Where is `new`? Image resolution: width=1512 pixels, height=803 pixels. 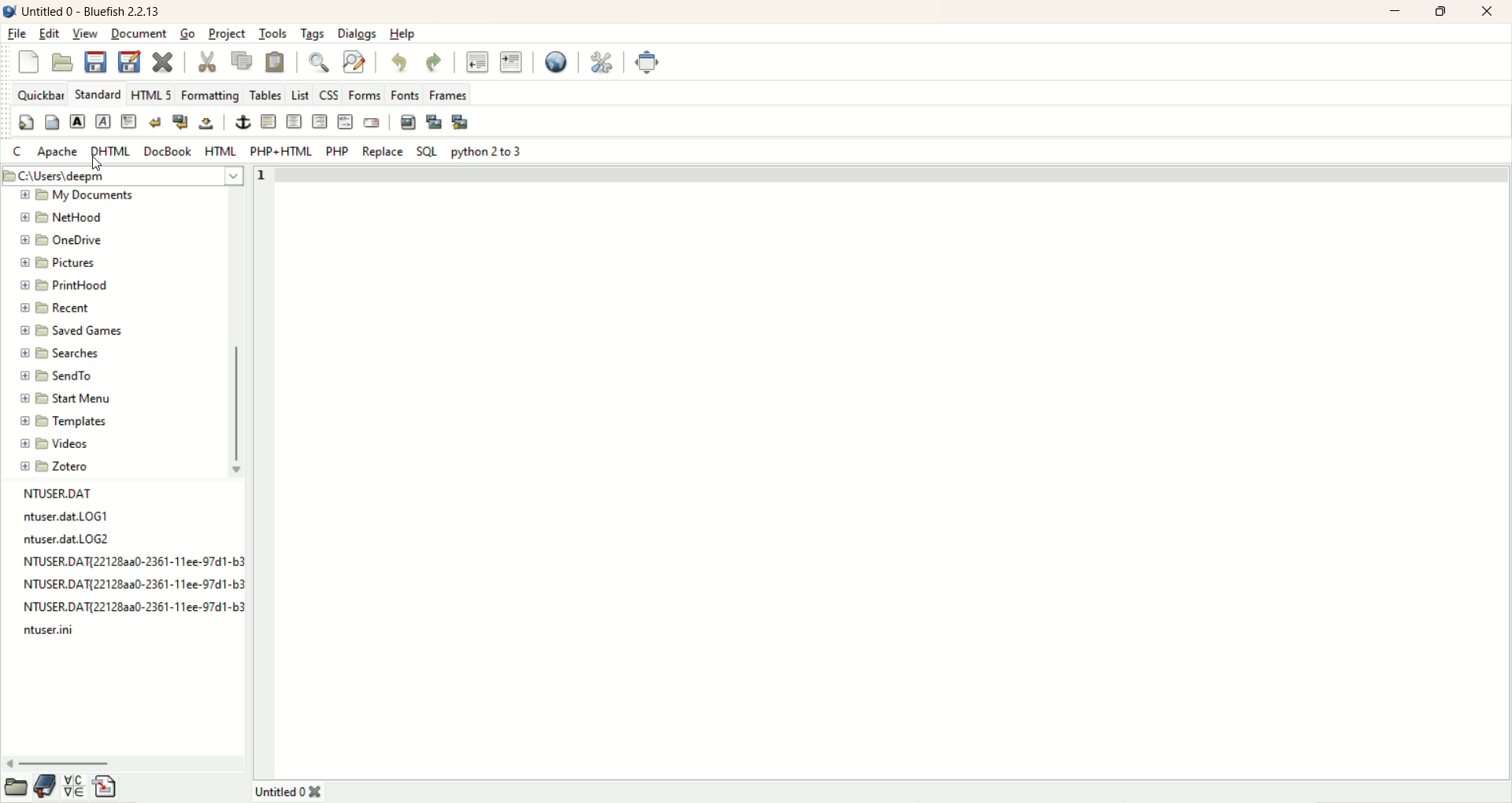 new is located at coordinates (32, 63).